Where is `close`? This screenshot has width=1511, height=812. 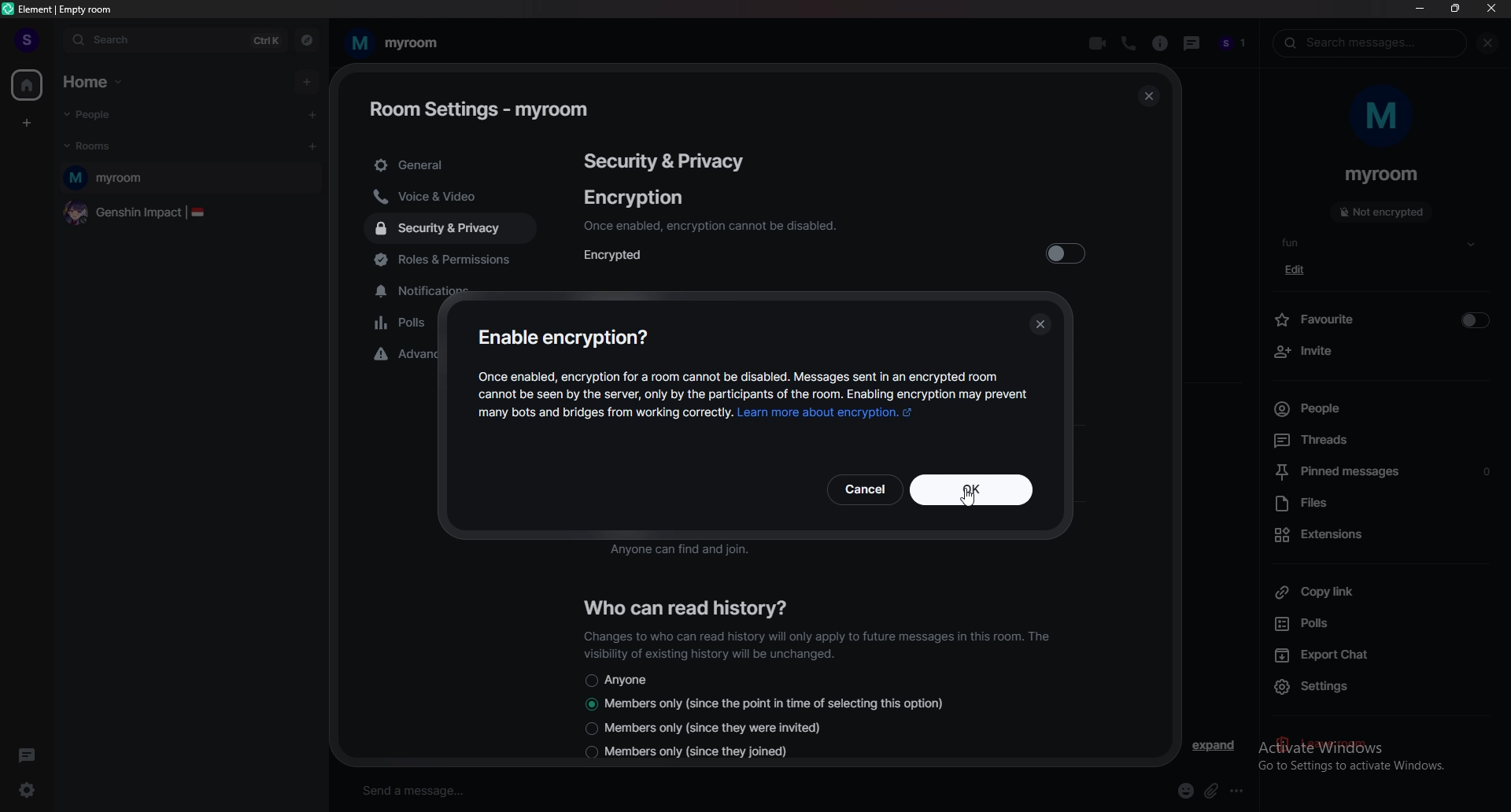
close is located at coordinates (1147, 97).